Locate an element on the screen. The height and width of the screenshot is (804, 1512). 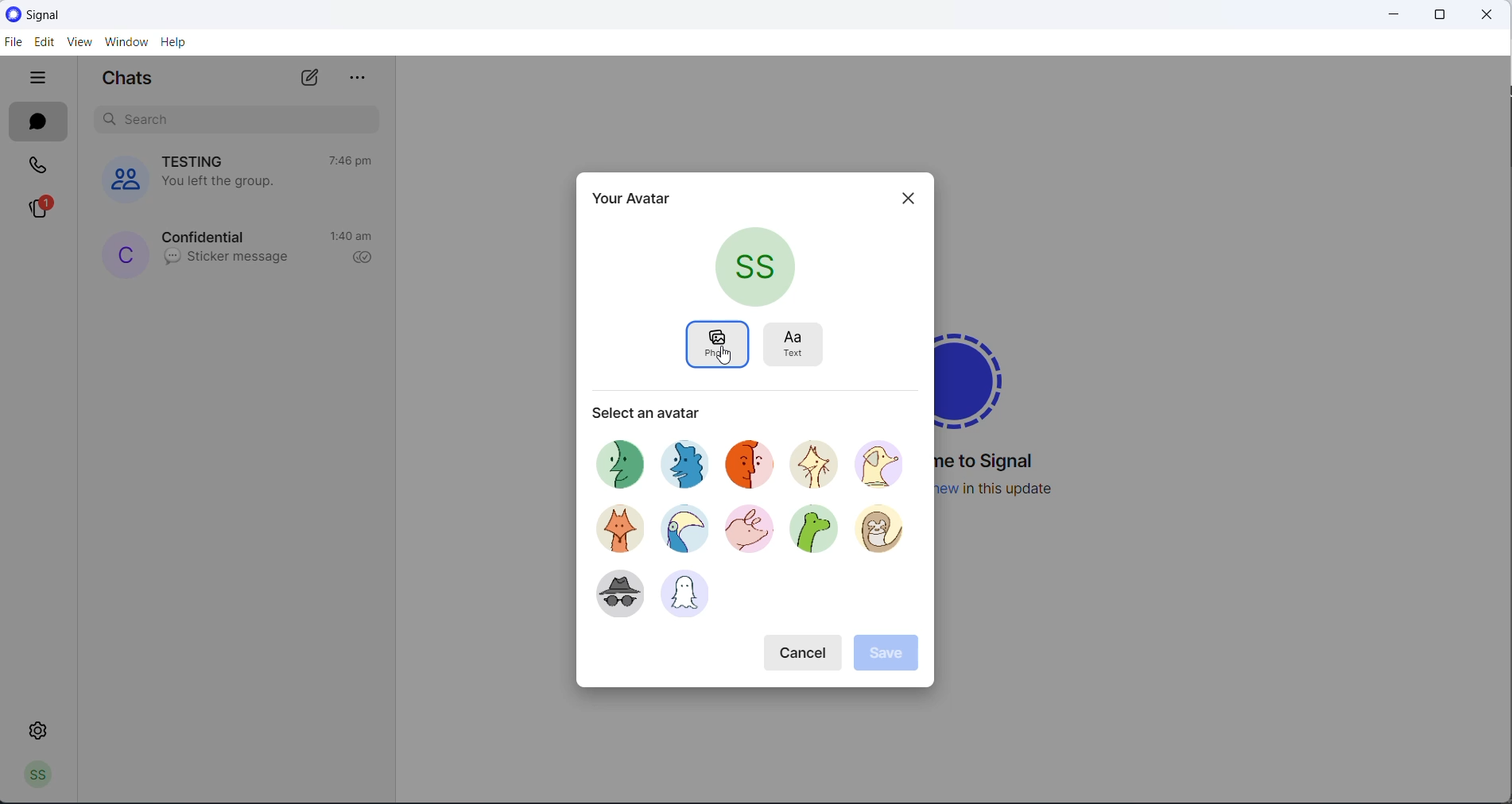
avatar is located at coordinates (820, 467).